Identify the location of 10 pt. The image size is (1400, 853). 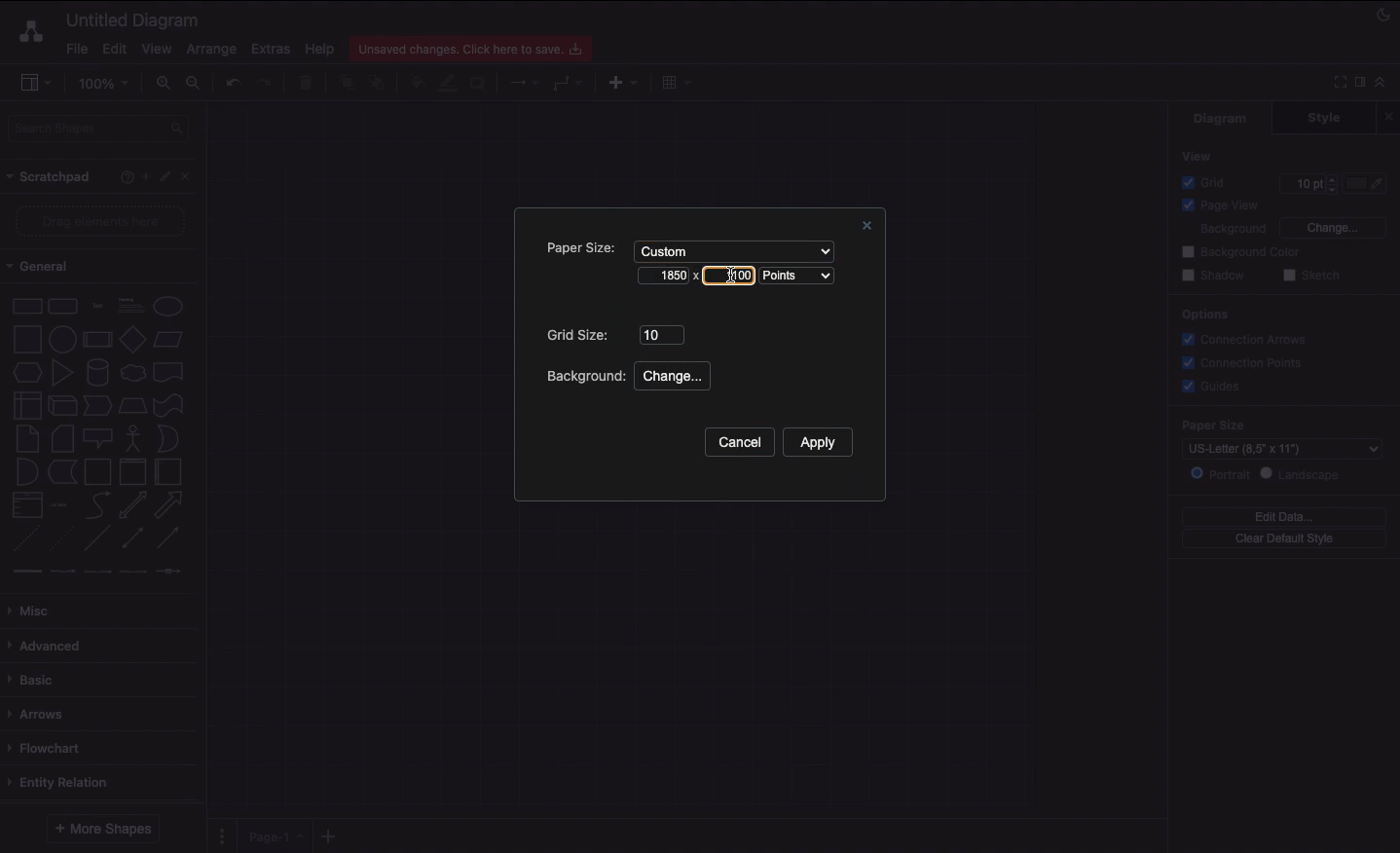
(1307, 181).